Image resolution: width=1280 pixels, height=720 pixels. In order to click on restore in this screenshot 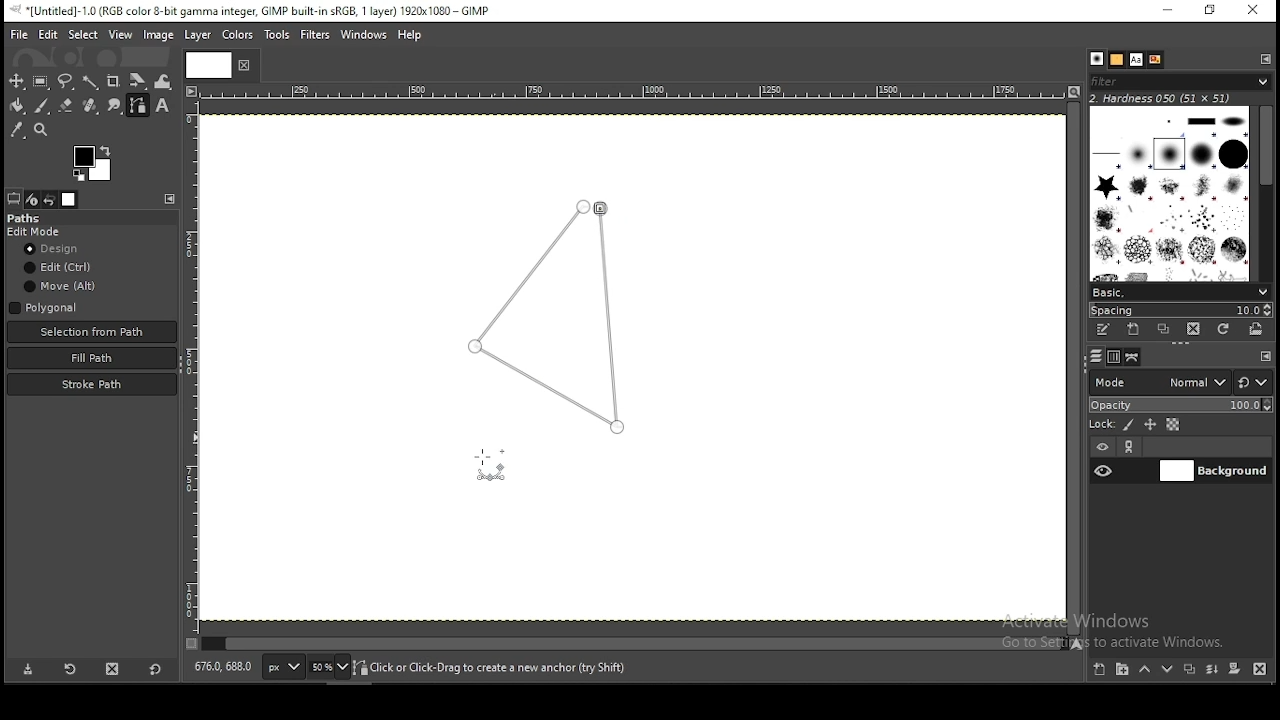, I will do `click(1210, 11)`.